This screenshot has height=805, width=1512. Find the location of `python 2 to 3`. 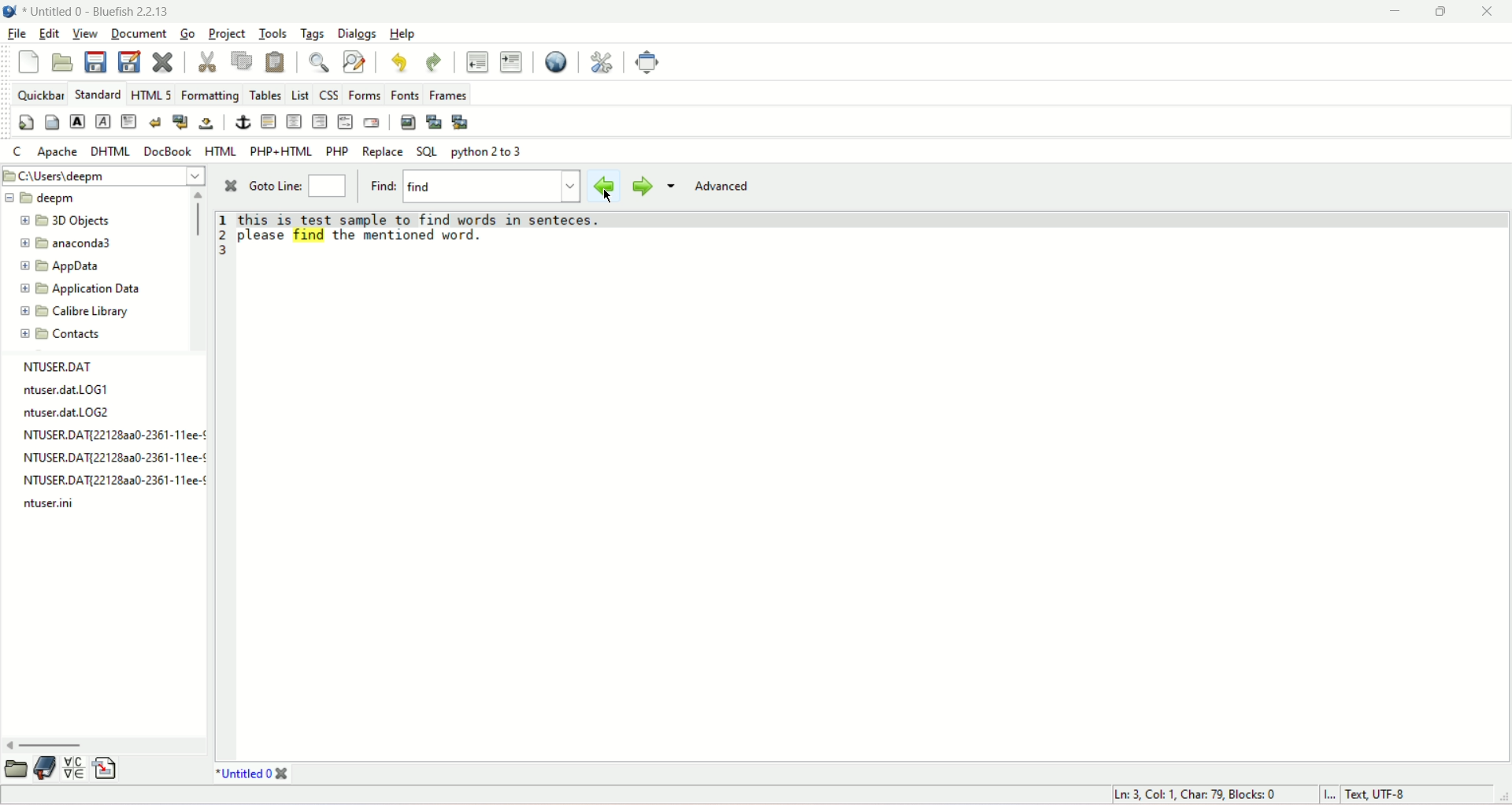

python 2 to 3 is located at coordinates (487, 152).